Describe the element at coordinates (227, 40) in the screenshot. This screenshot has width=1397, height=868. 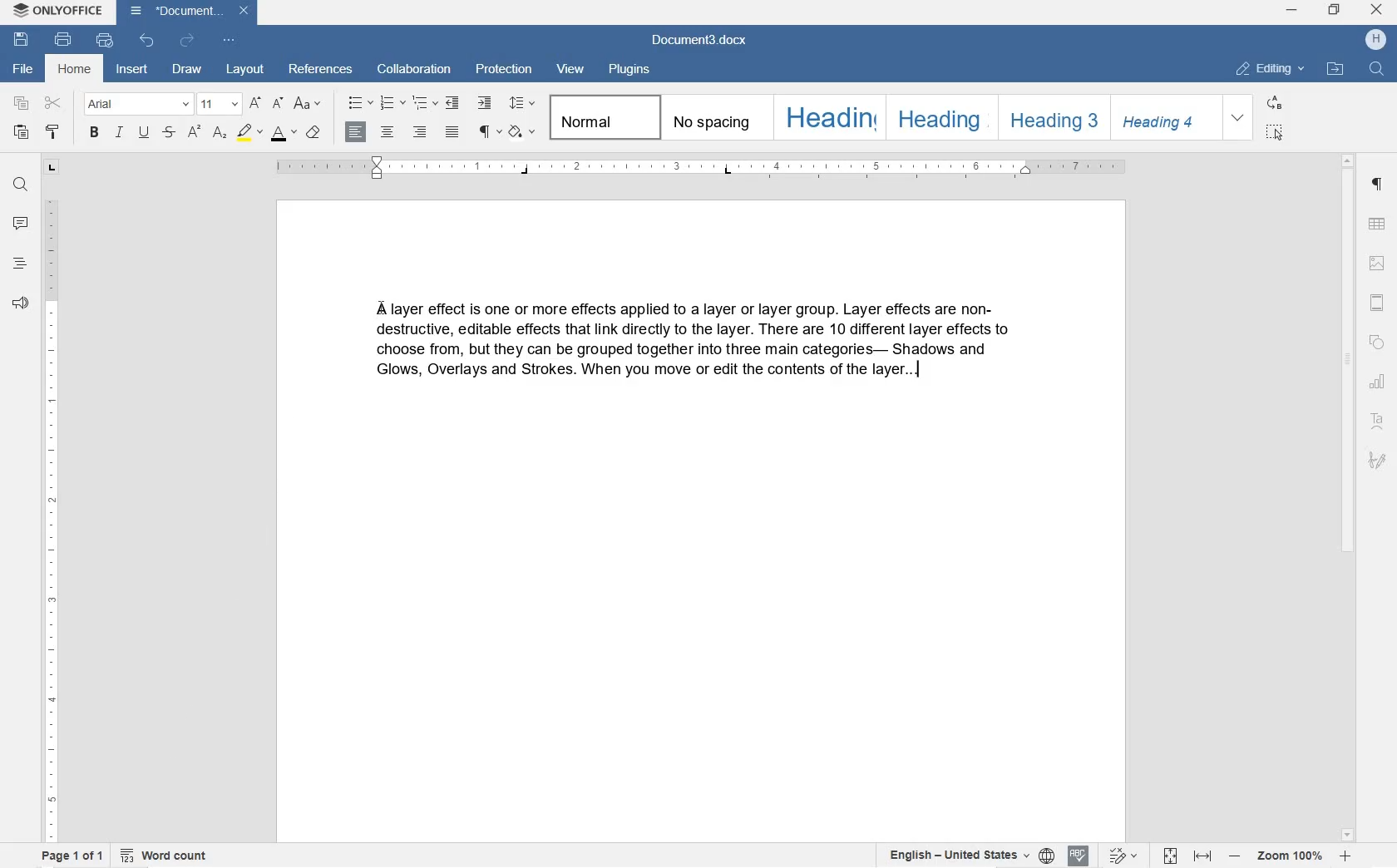
I see `CUSTOMIZE QUICK ACCESS TOOLBAR` at that location.